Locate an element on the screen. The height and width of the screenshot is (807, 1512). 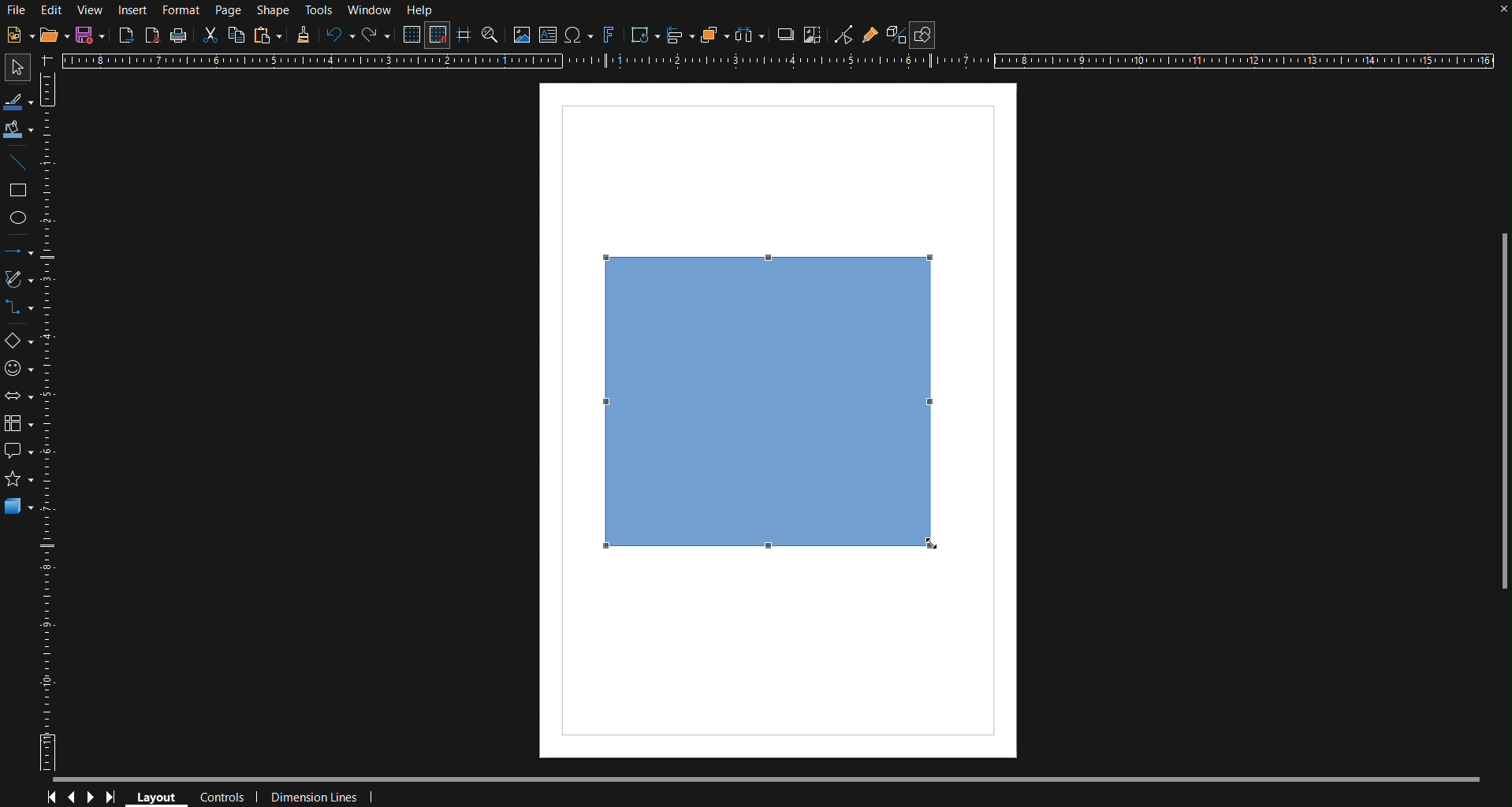
Shadow is located at coordinates (784, 34).